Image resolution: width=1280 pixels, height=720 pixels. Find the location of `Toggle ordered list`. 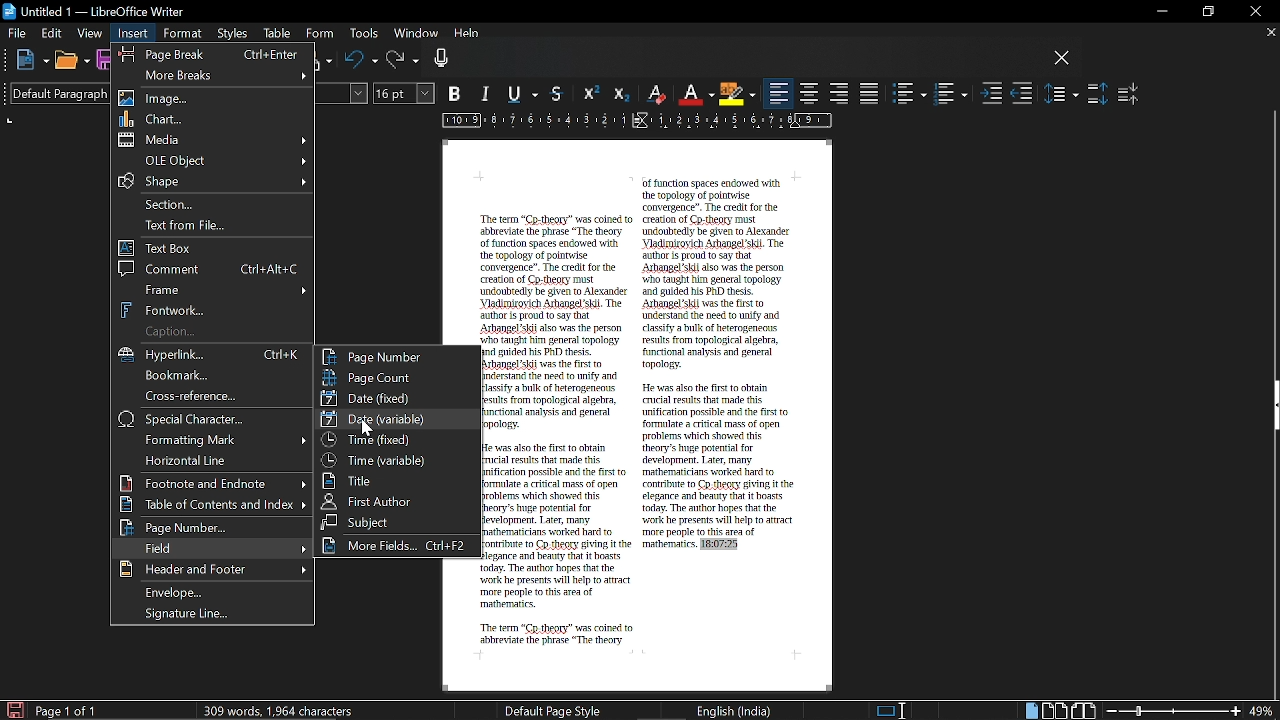

Toggle ordered list is located at coordinates (950, 94).